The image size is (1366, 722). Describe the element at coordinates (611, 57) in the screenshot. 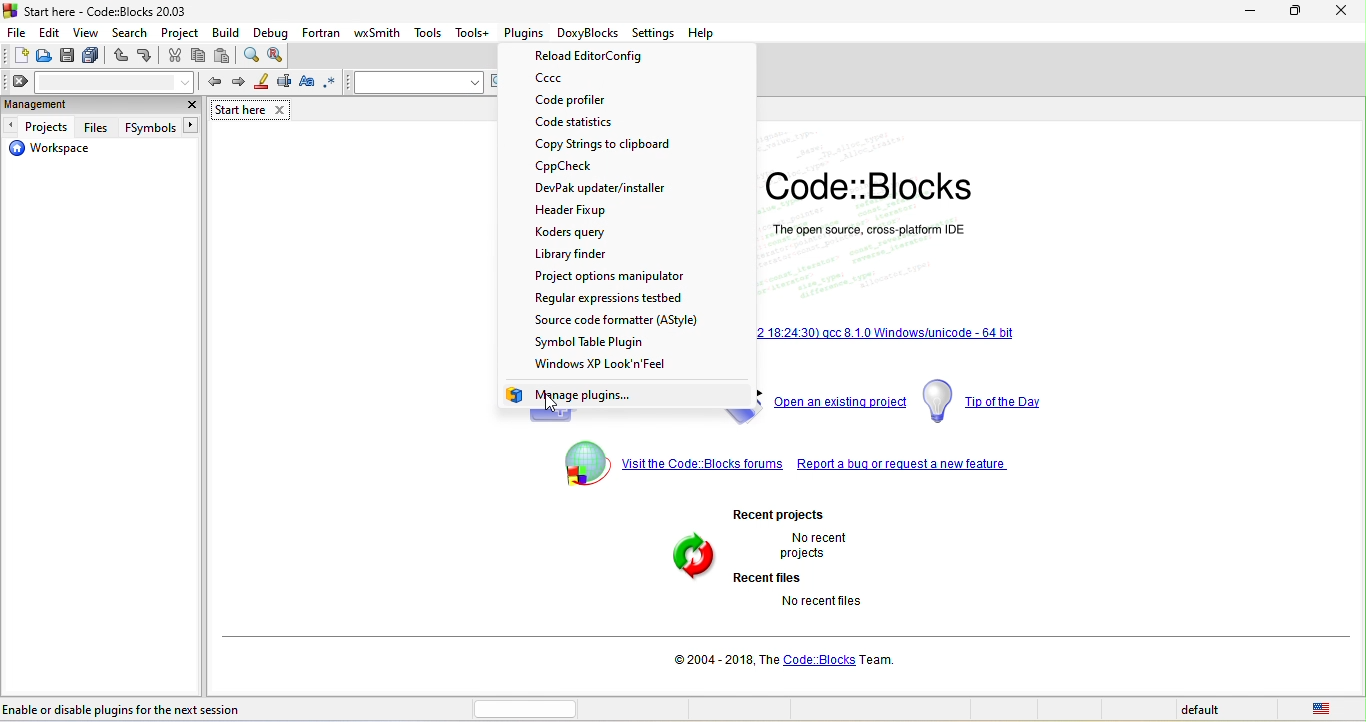

I see `reload editor config` at that location.